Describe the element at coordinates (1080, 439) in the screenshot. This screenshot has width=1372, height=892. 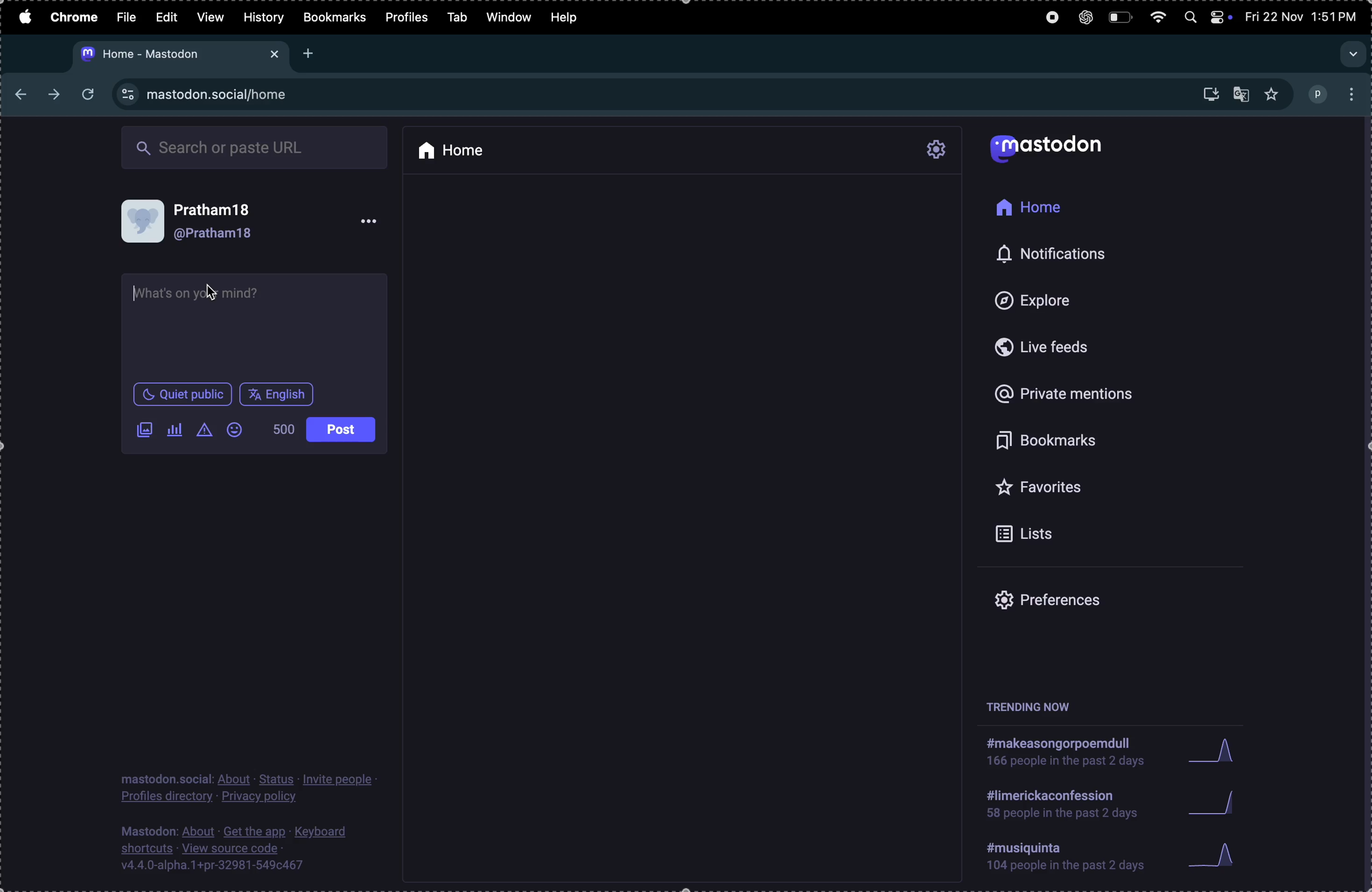
I see `bookmarks` at that location.